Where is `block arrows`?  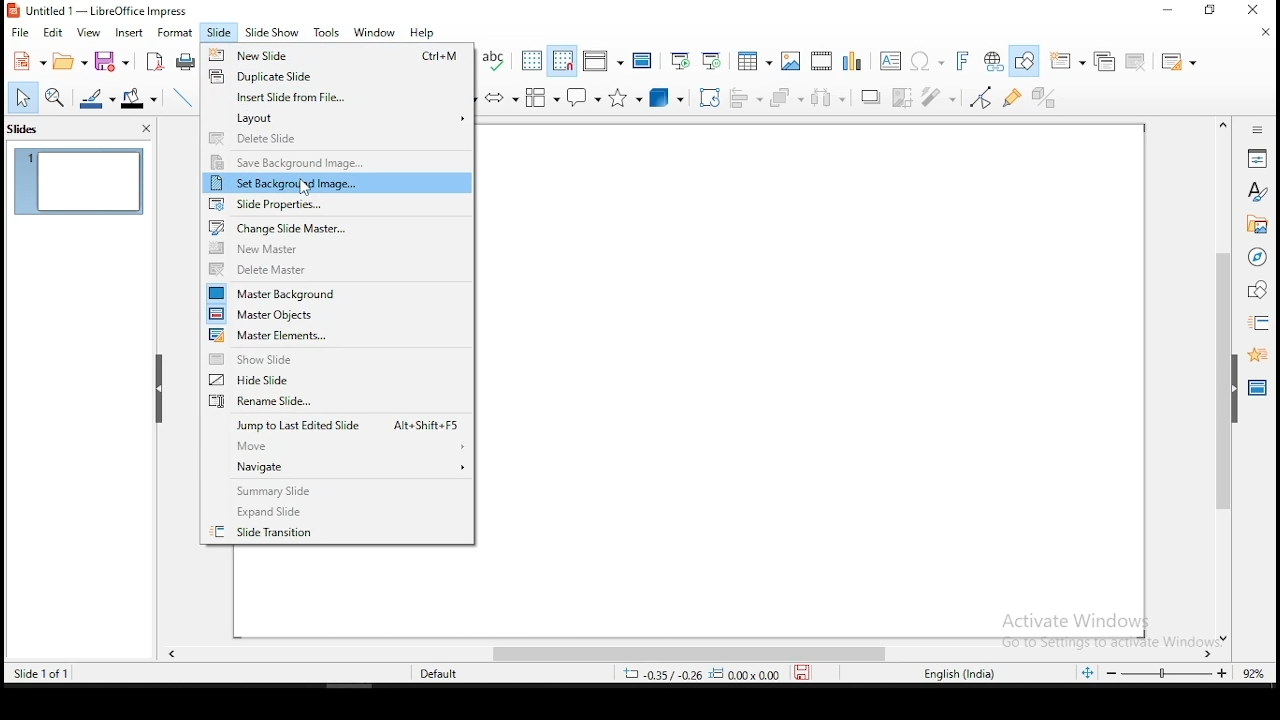
block arrows is located at coordinates (502, 97).